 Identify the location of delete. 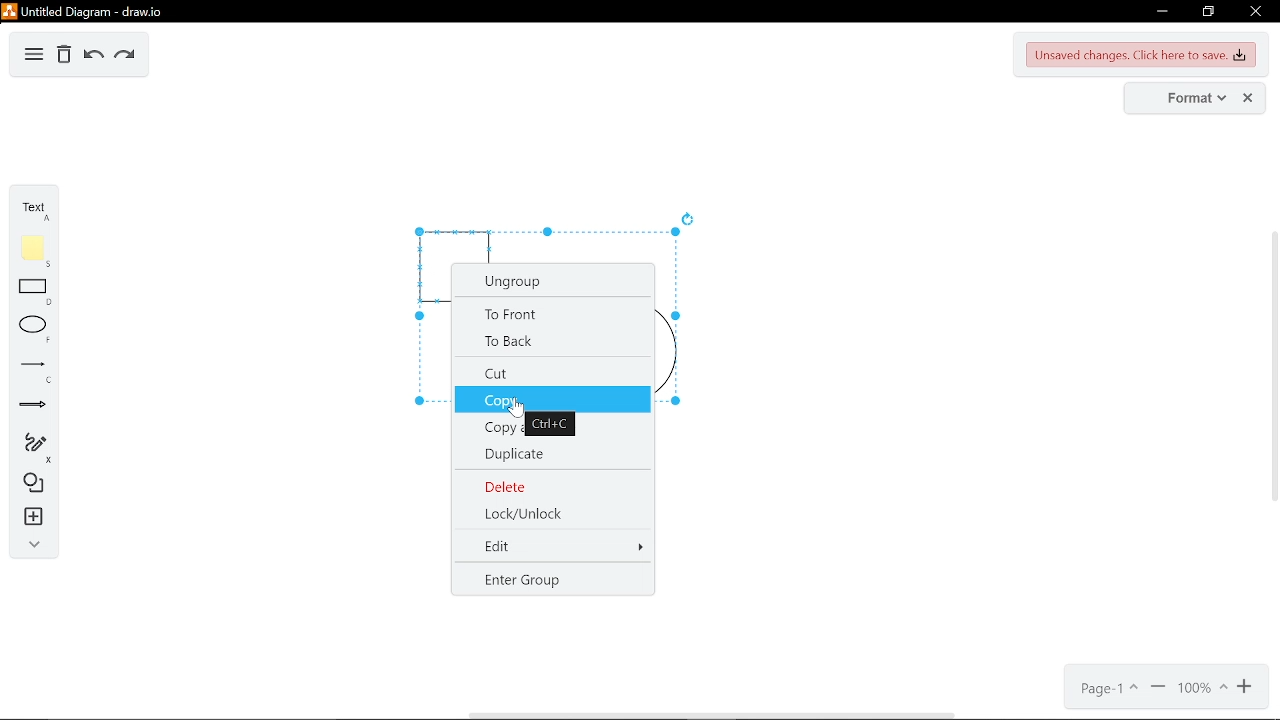
(64, 56).